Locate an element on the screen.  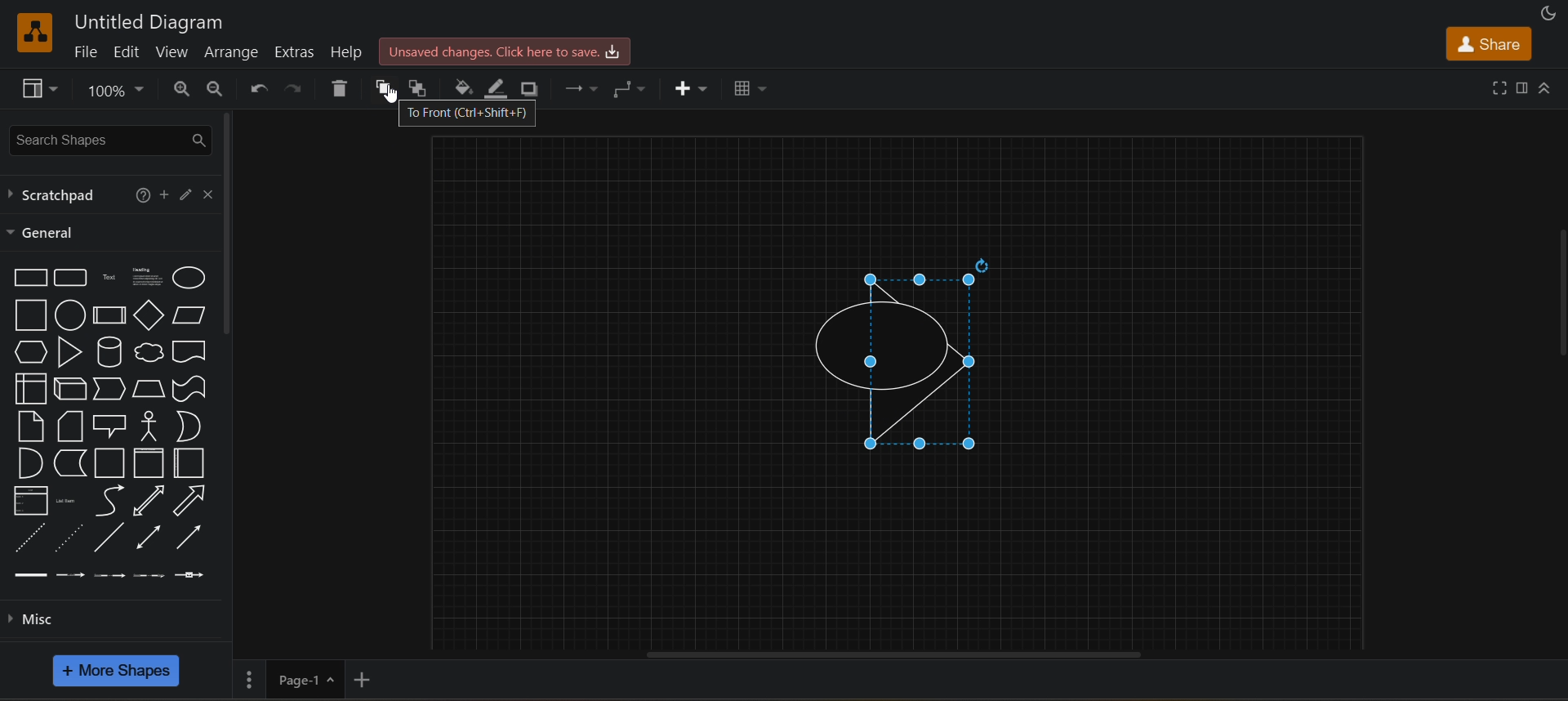
delete is located at coordinates (338, 87).